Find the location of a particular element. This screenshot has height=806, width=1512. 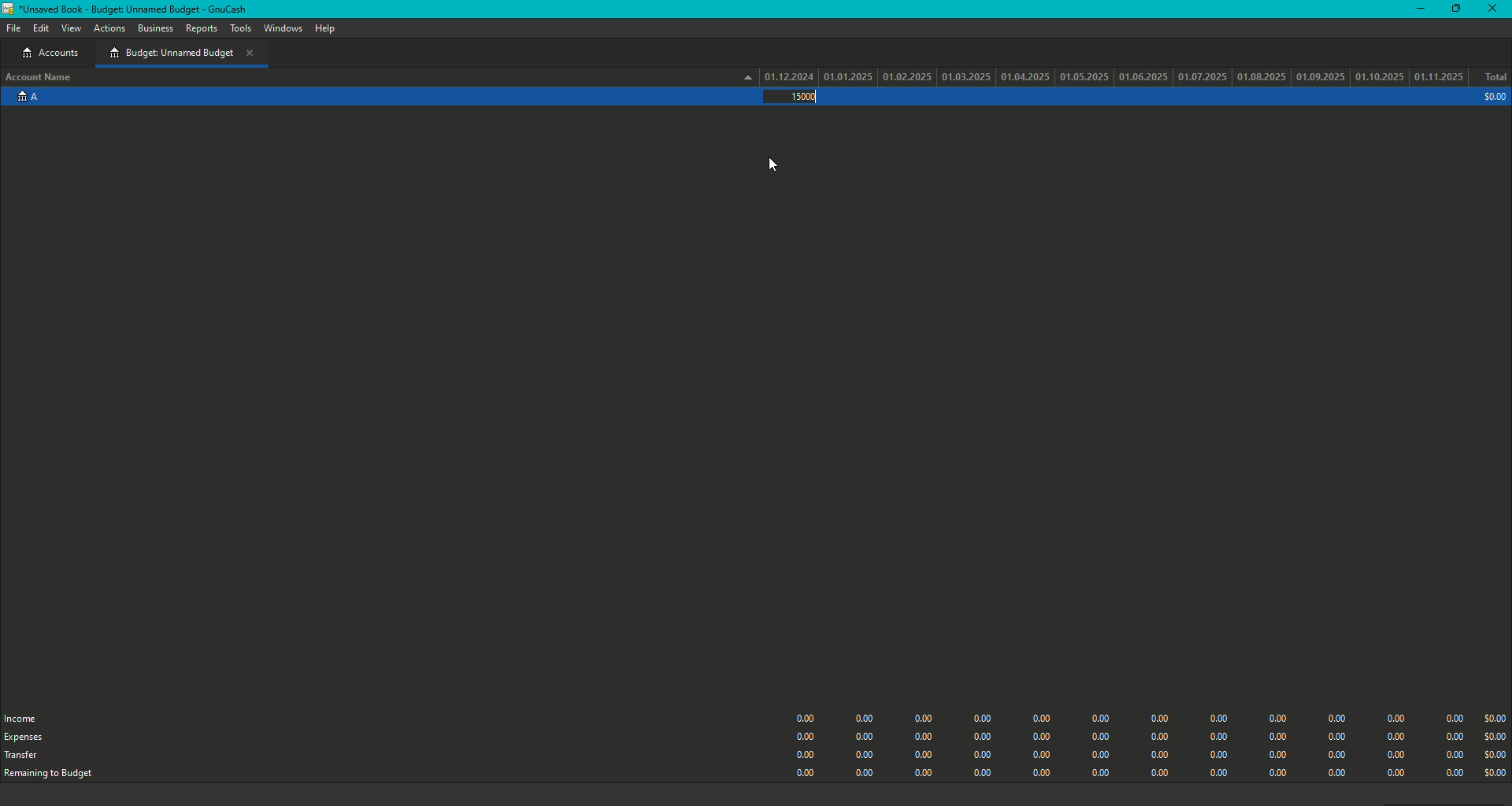

Remaining to Budget is located at coordinates (57, 775).